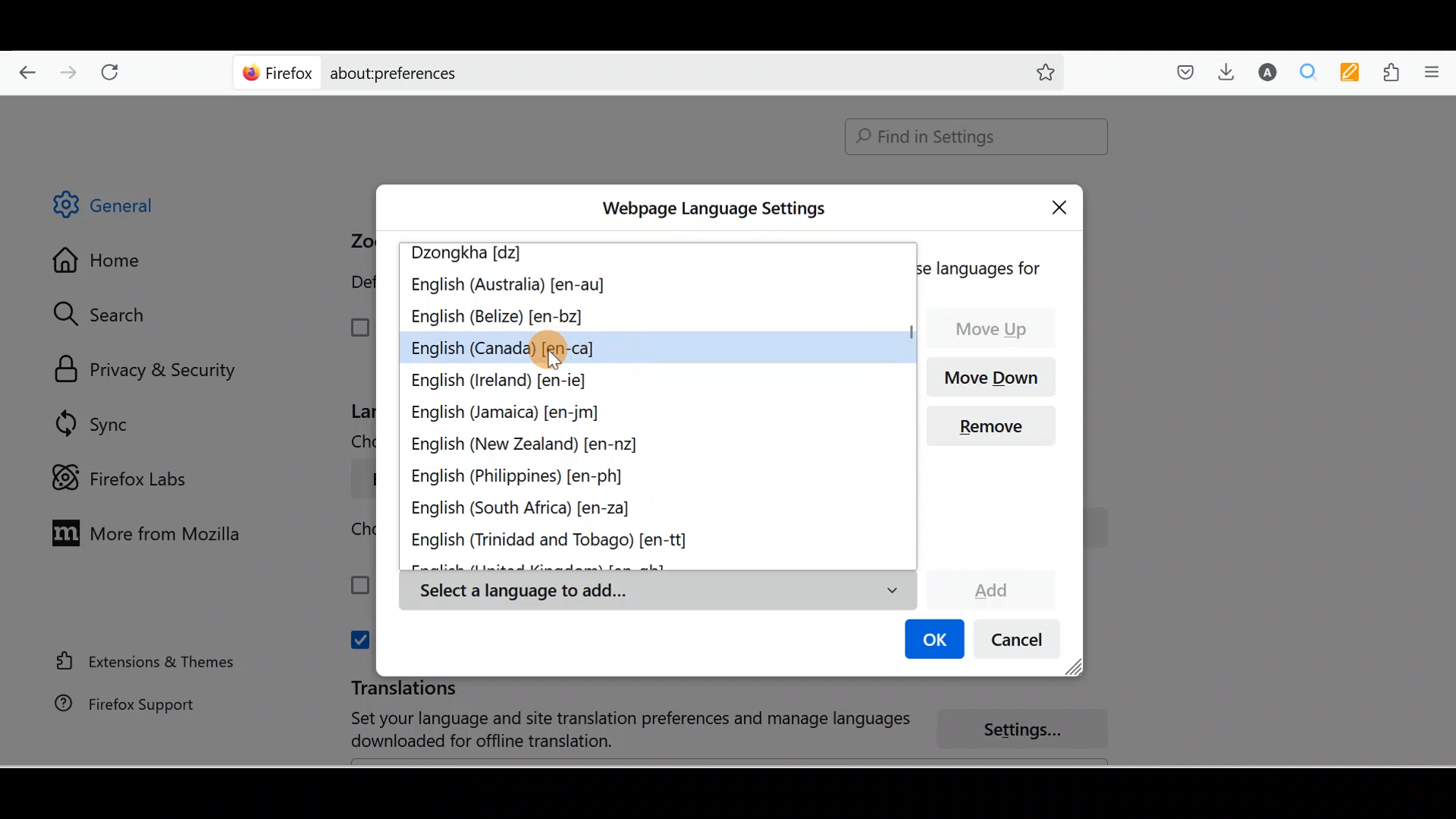  Describe the element at coordinates (476, 255) in the screenshot. I see `Dzongkha [dz]` at that location.